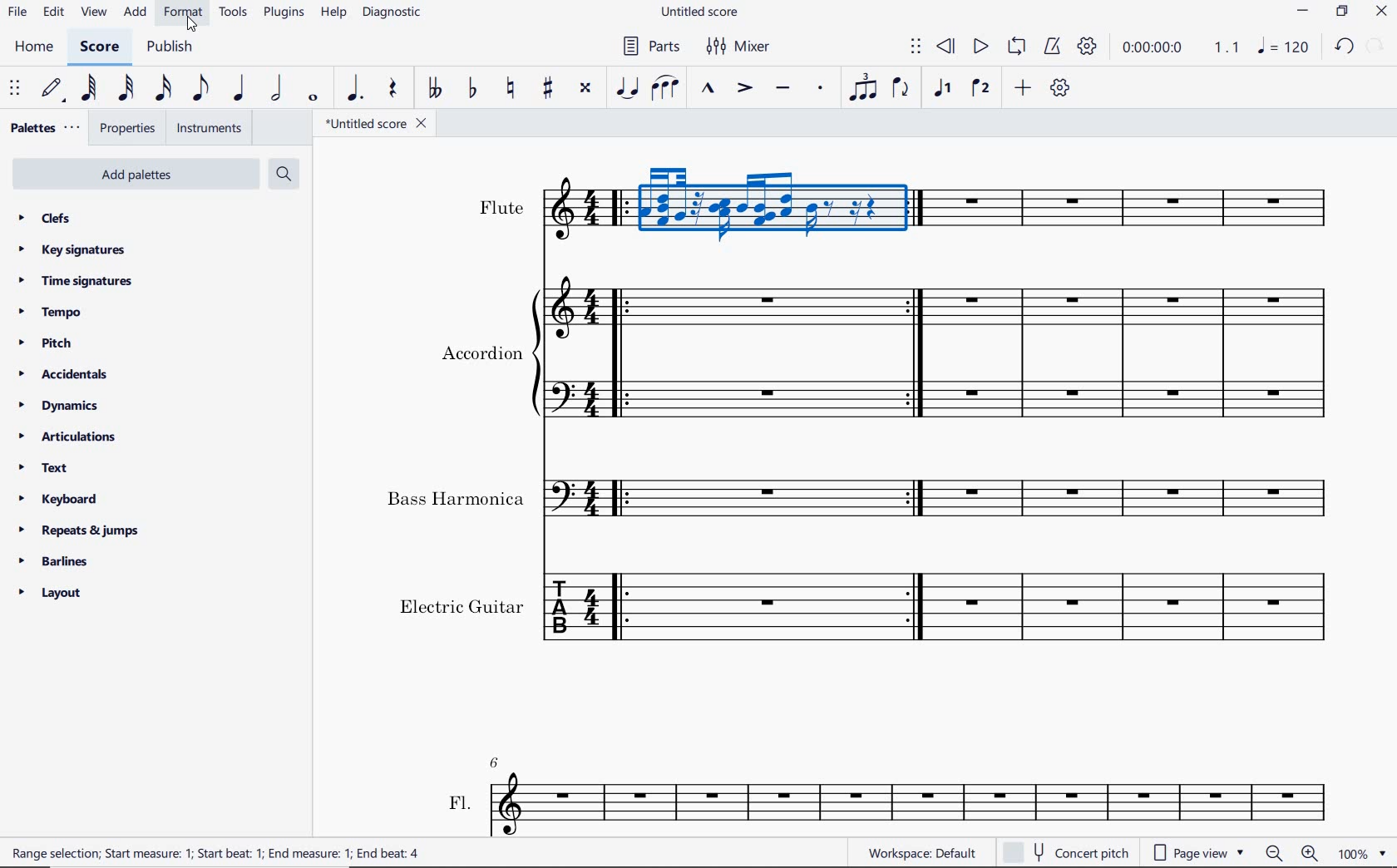 The height and width of the screenshot is (868, 1397). Describe the element at coordinates (1087, 45) in the screenshot. I see `playback settings` at that location.